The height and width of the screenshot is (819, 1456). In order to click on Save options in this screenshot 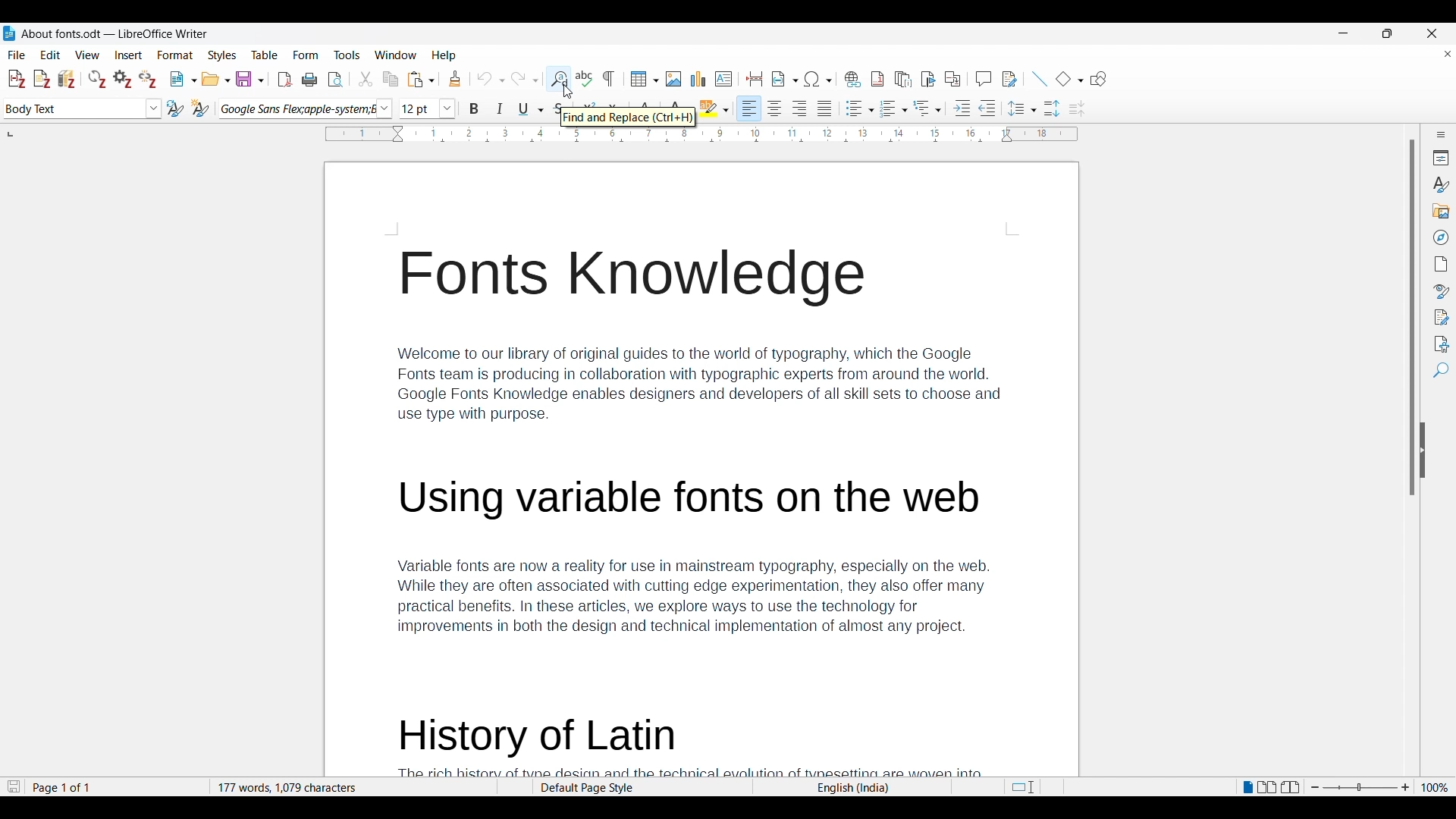, I will do `click(250, 79)`.